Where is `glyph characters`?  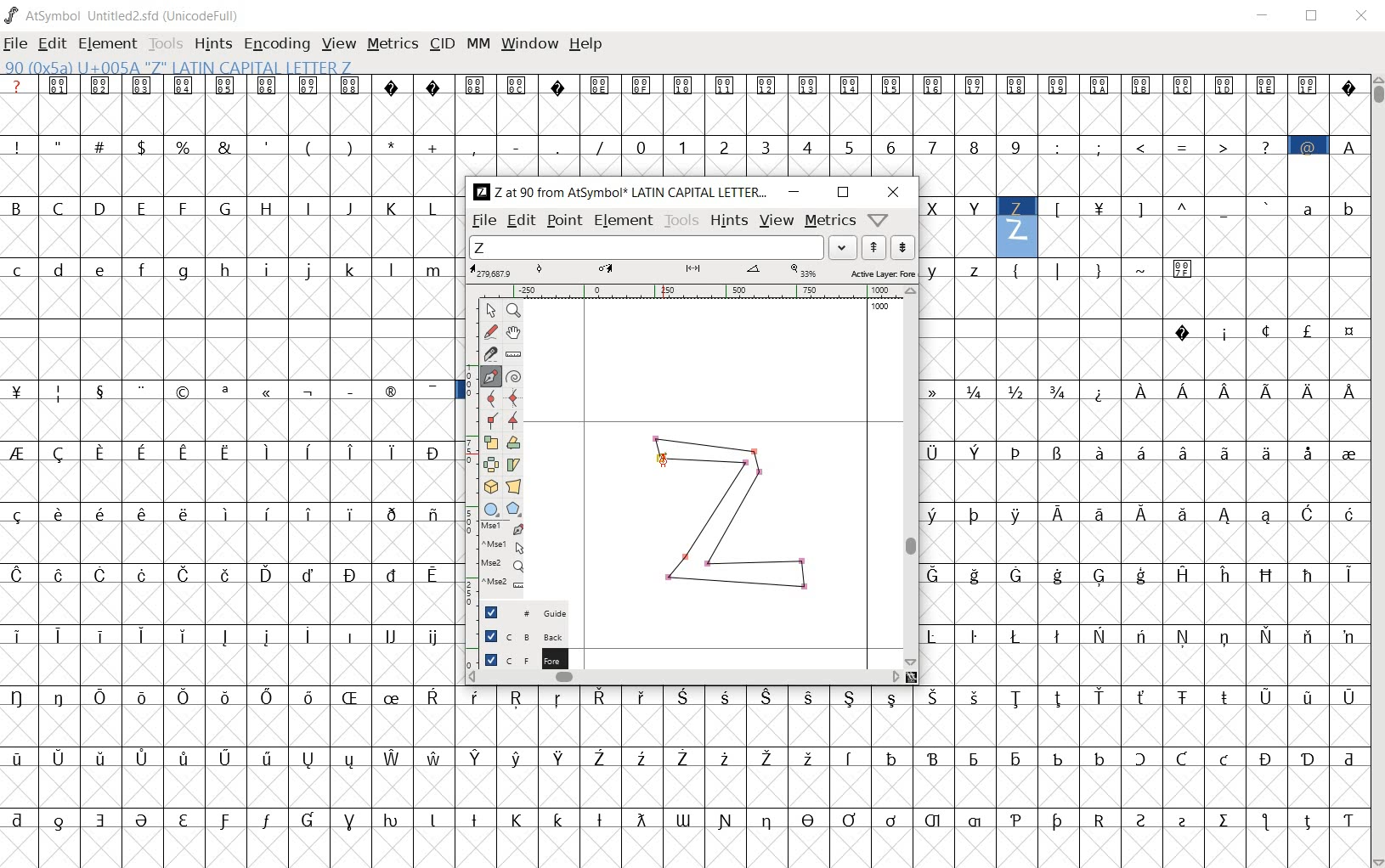 glyph characters is located at coordinates (930, 125).